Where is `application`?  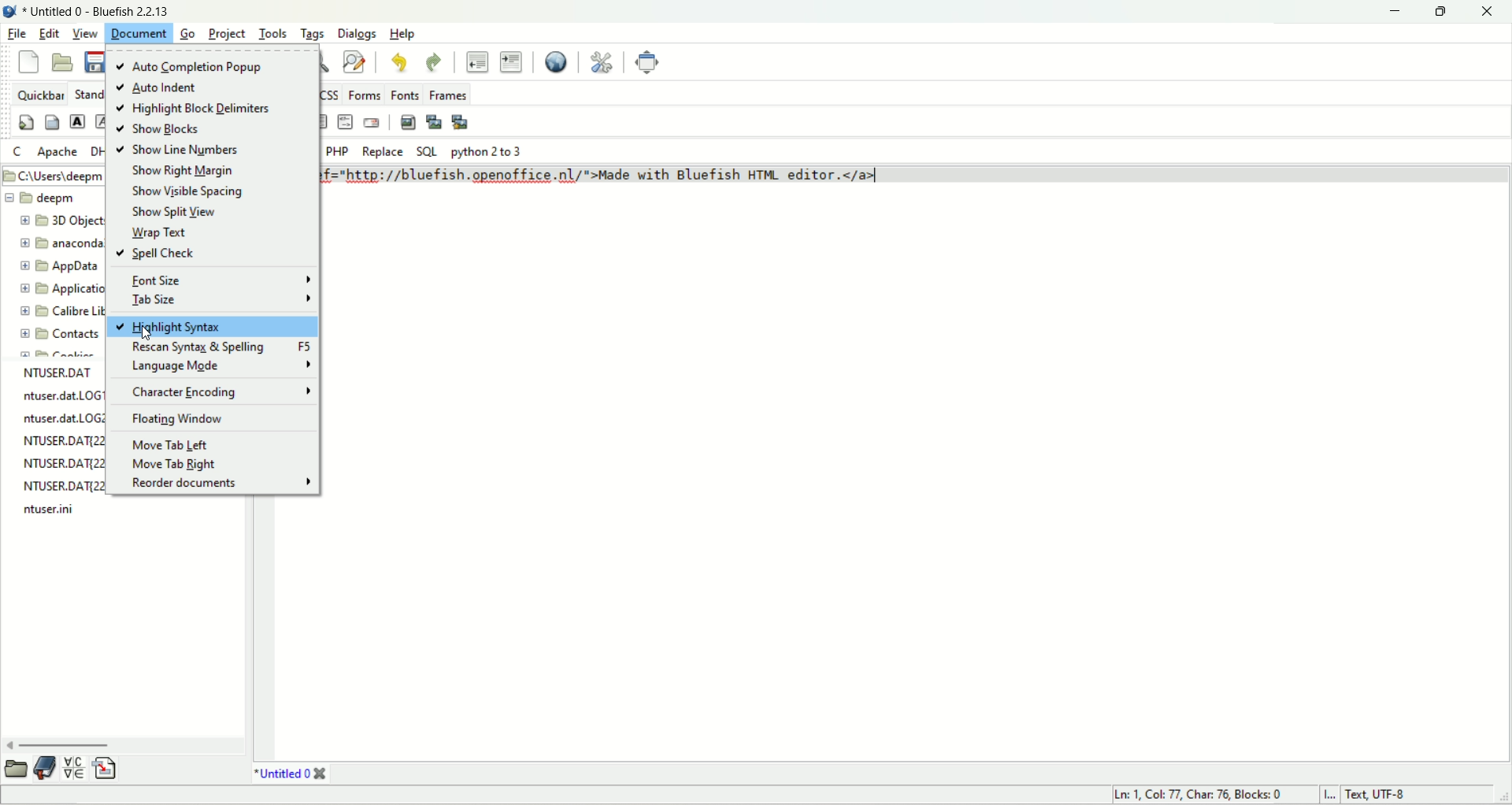
application is located at coordinates (60, 287).